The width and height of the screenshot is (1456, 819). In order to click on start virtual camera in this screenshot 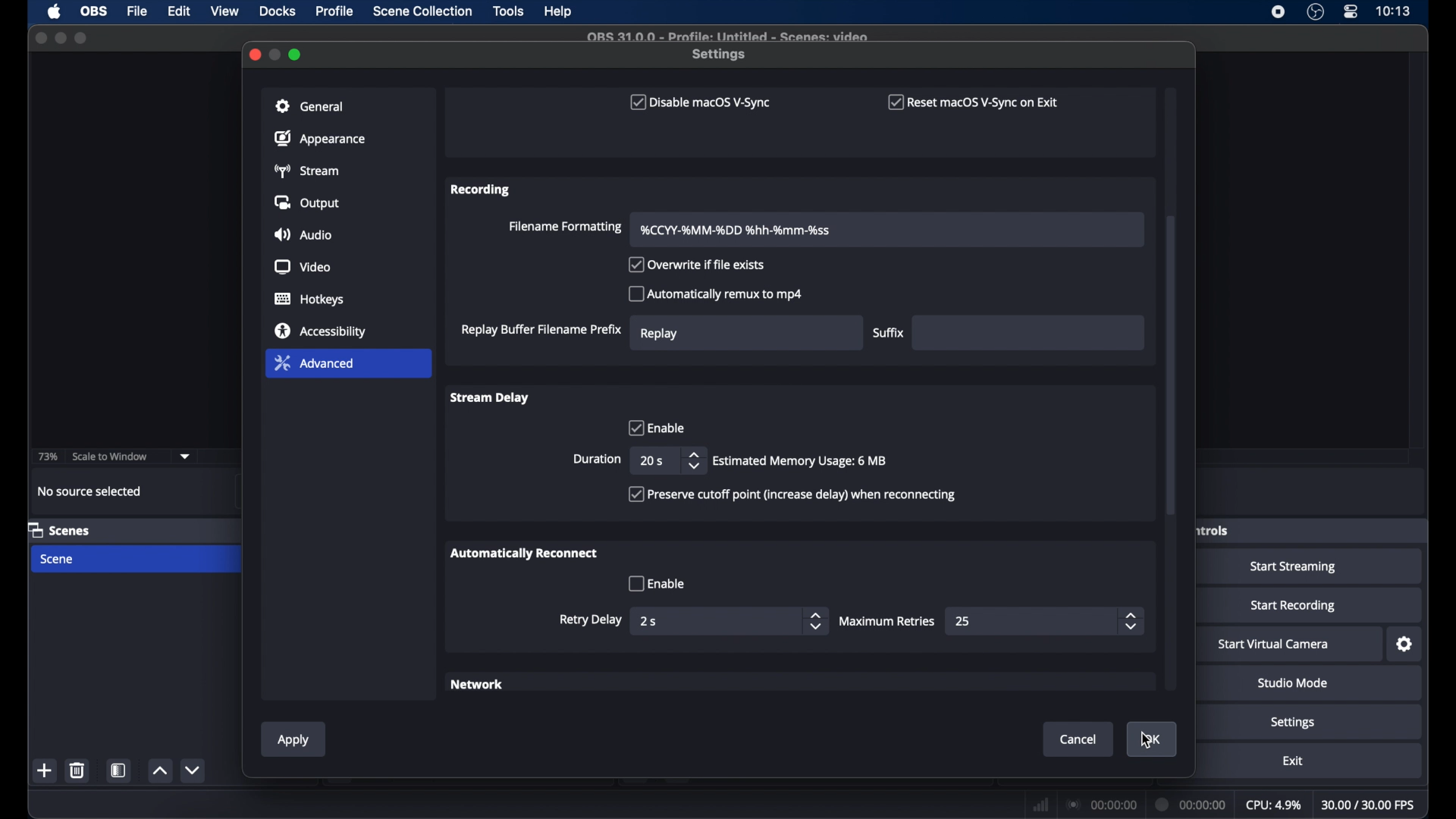, I will do `click(1274, 645)`.